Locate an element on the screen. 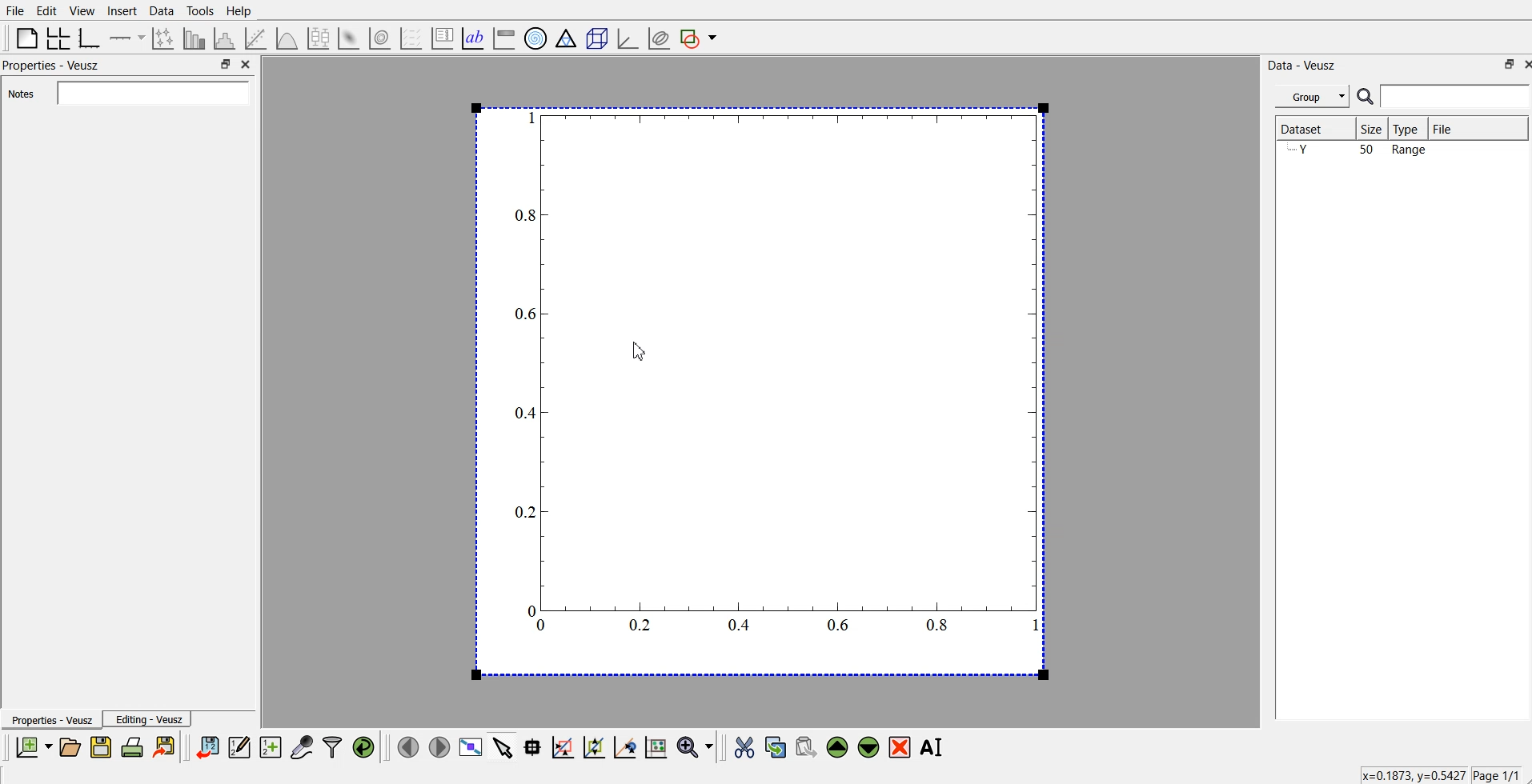 The height and width of the screenshot is (784, 1532). plot vector field is located at coordinates (410, 36).